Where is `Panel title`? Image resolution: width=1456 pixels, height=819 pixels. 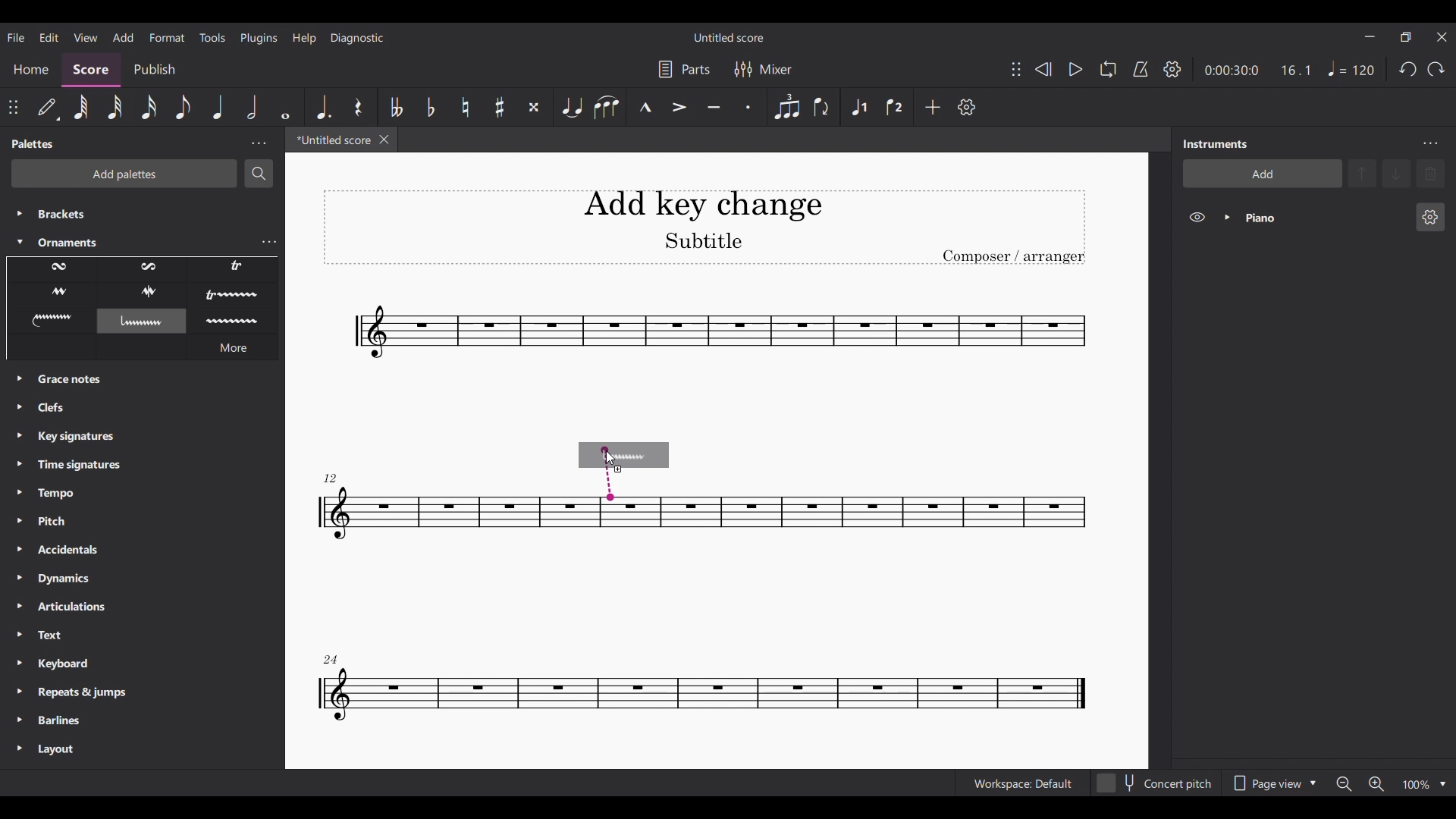
Panel title is located at coordinates (1214, 143).